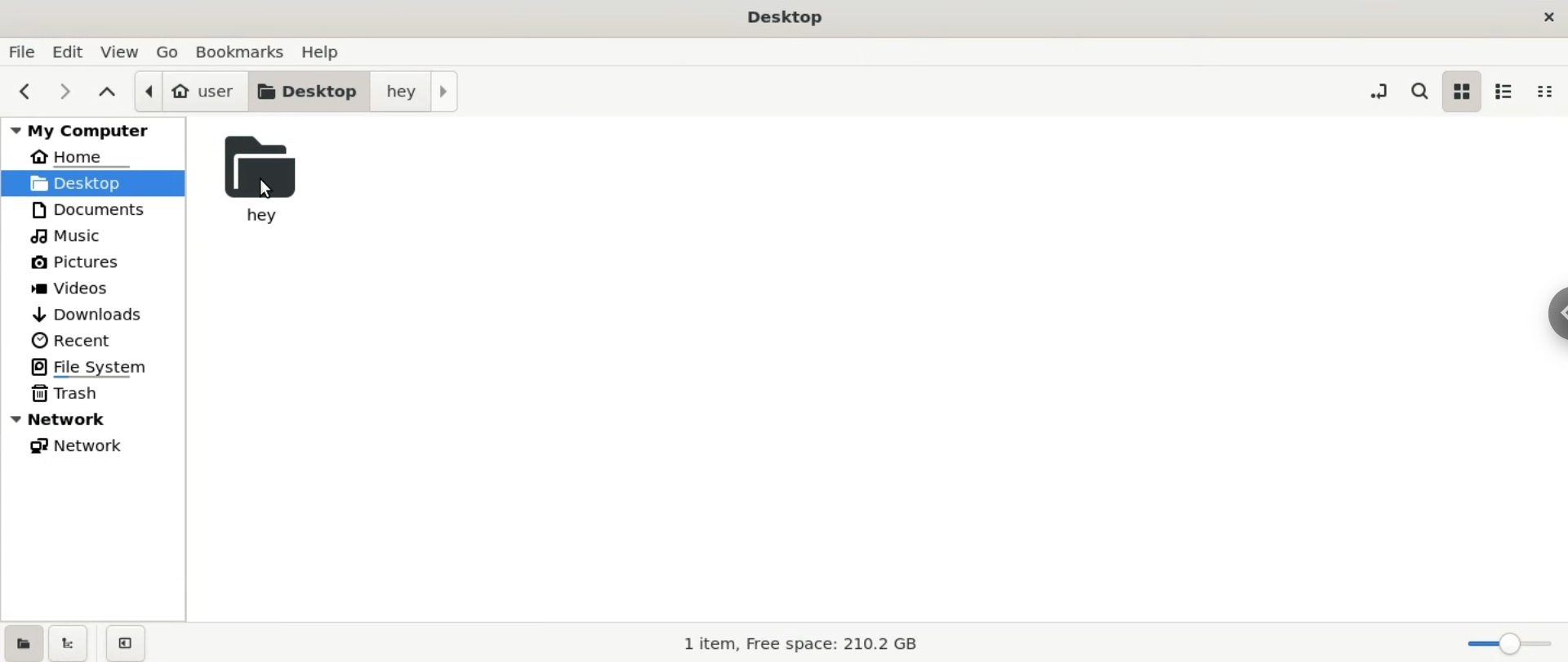 This screenshot has height=662, width=1568. What do you see at coordinates (1551, 92) in the screenshot?
I see `compact view` at bounding box center [1551, 92].